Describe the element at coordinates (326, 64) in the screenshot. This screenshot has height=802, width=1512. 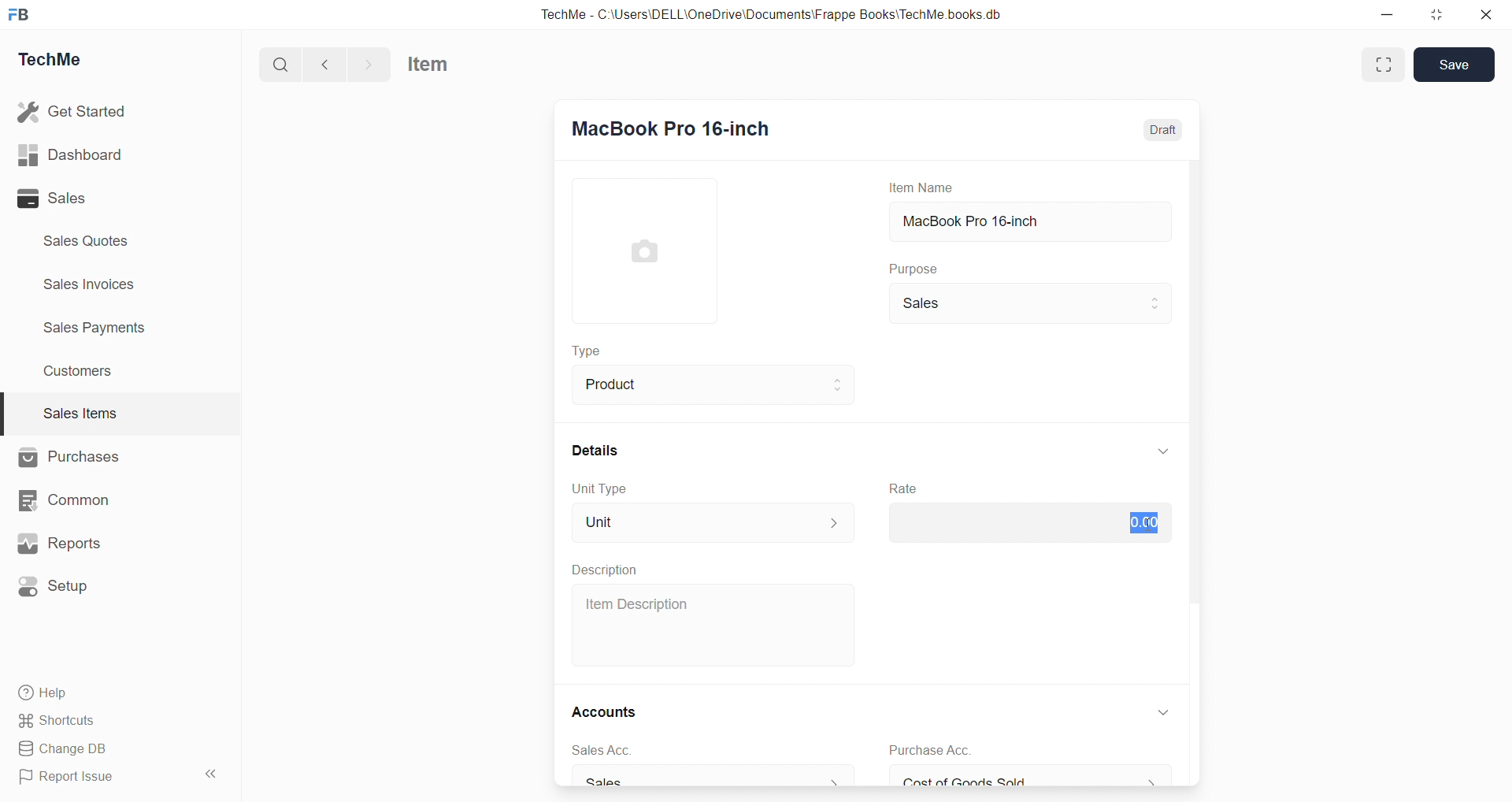
I see `back` at that location.